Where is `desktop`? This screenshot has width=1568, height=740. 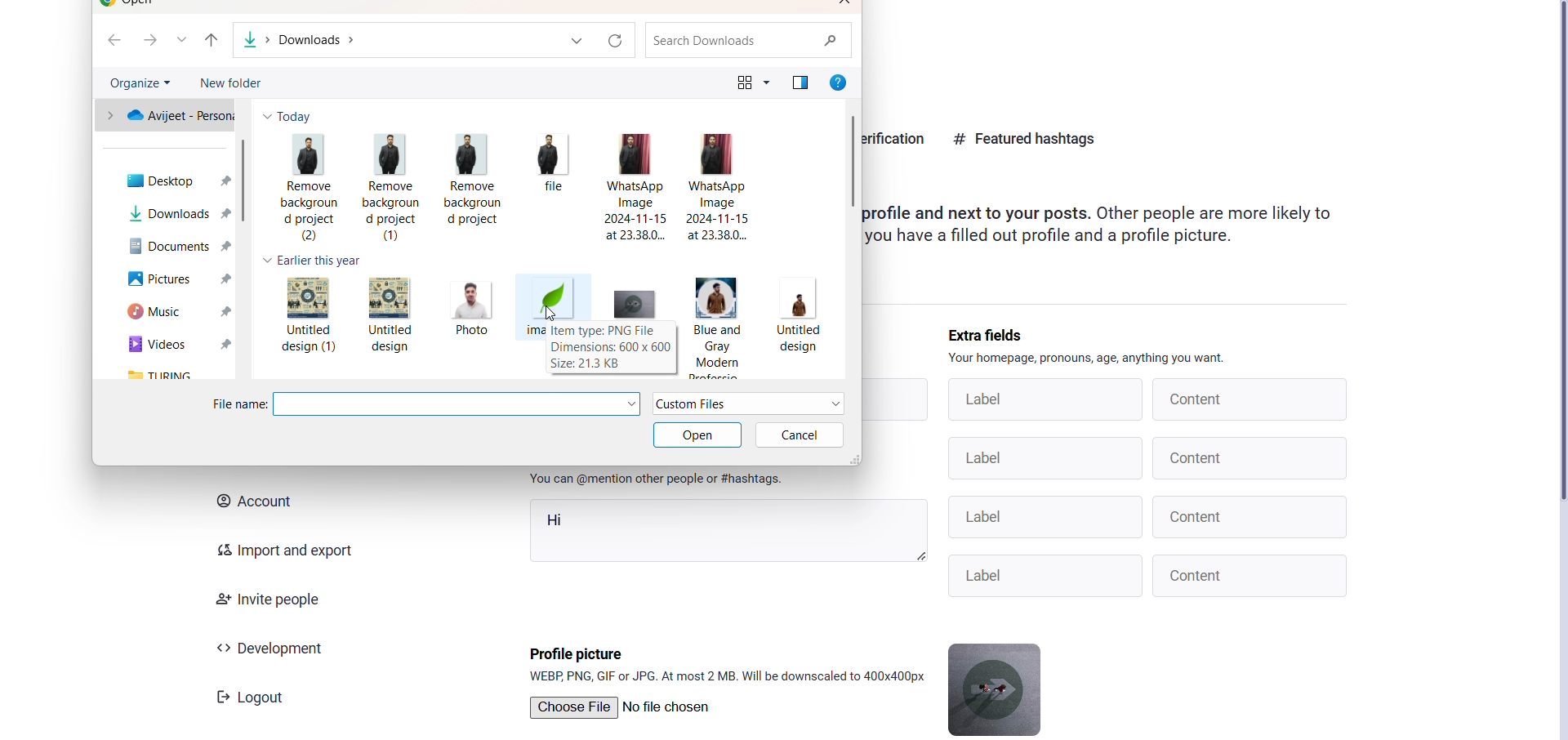
desktop is located at coordinates (175, 182).